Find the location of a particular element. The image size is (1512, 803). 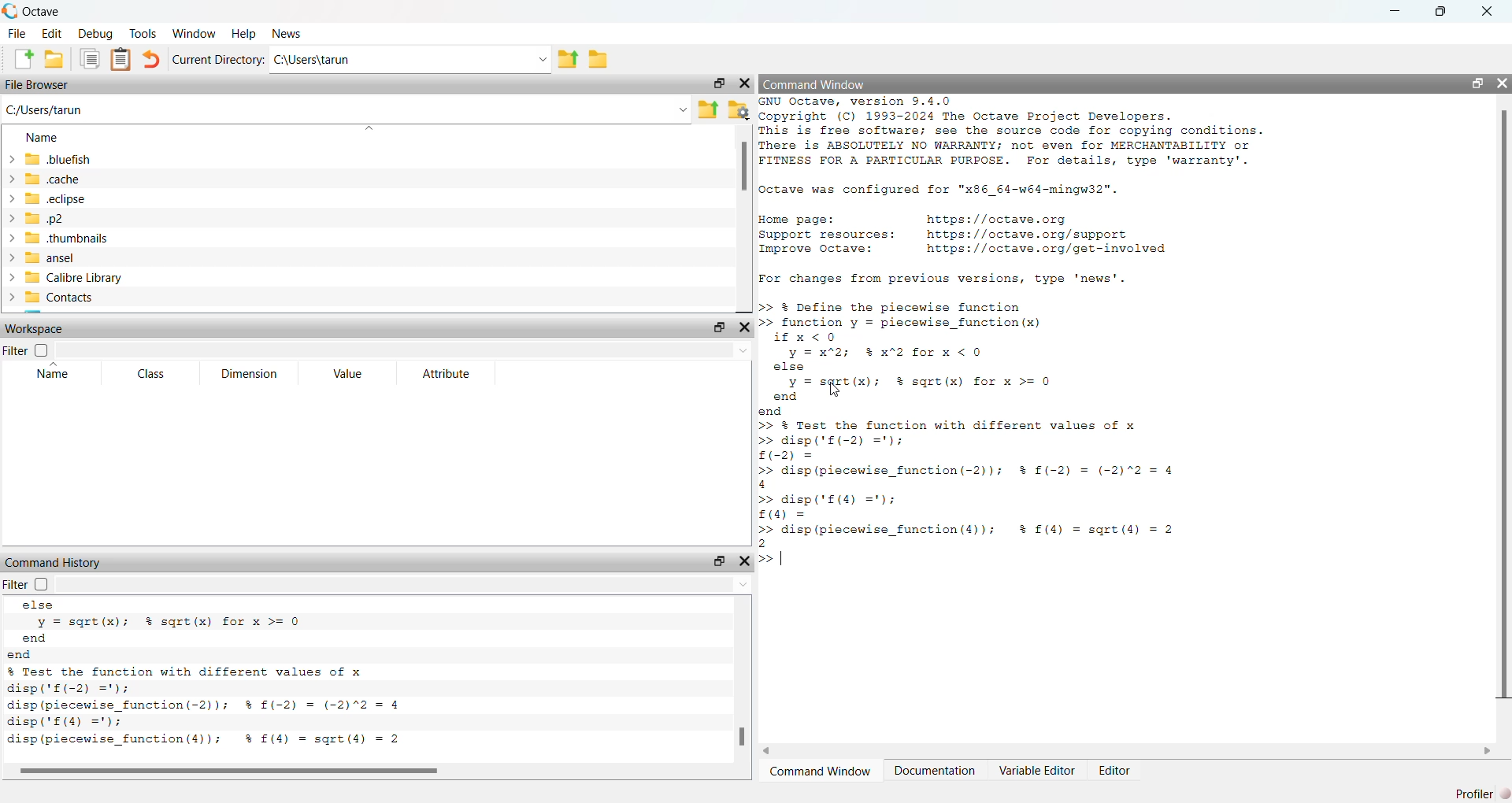

Name is located at coordinates (42, 139).